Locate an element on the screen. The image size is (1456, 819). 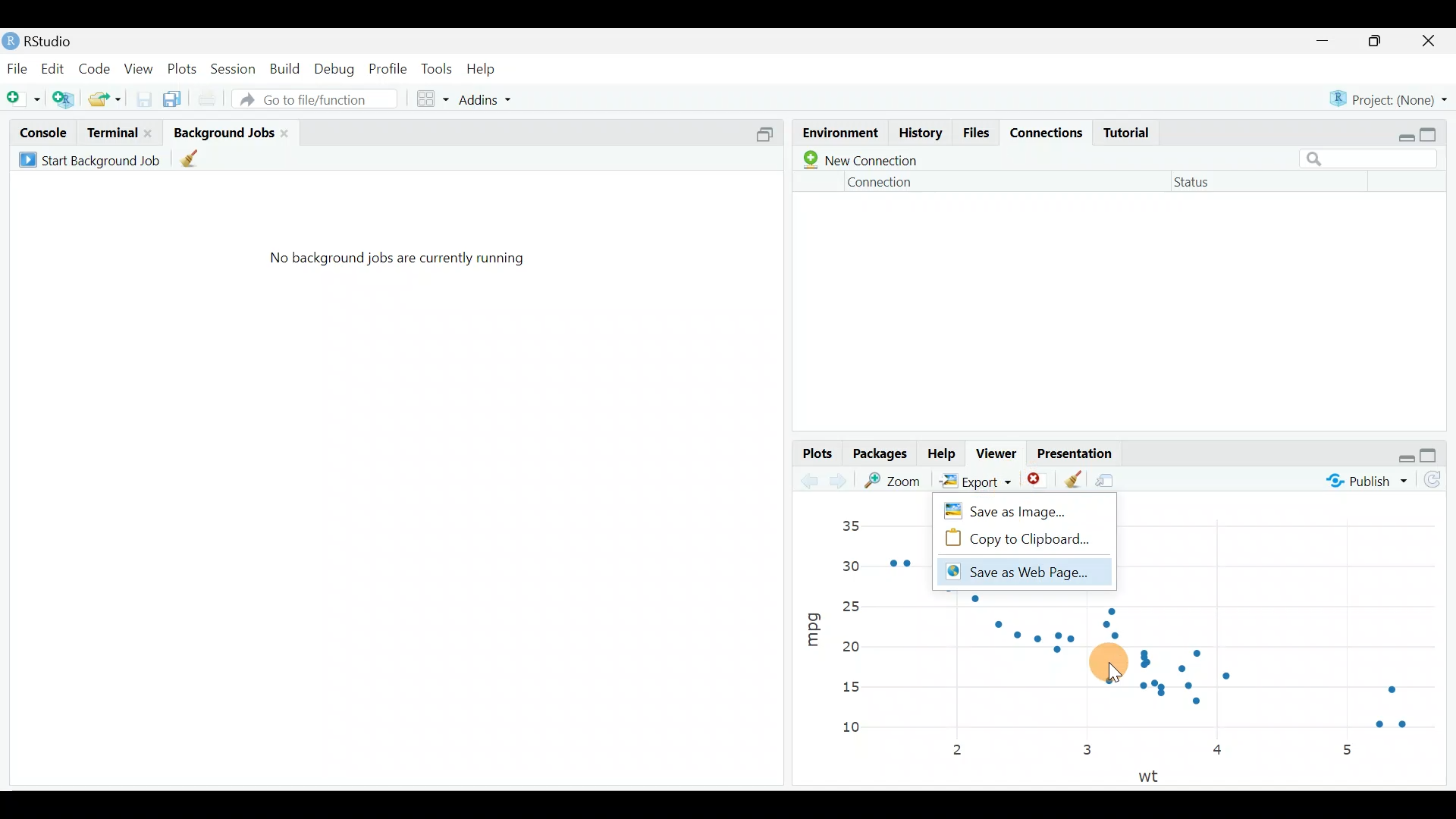
Packages is located at coordinates (882, 455).